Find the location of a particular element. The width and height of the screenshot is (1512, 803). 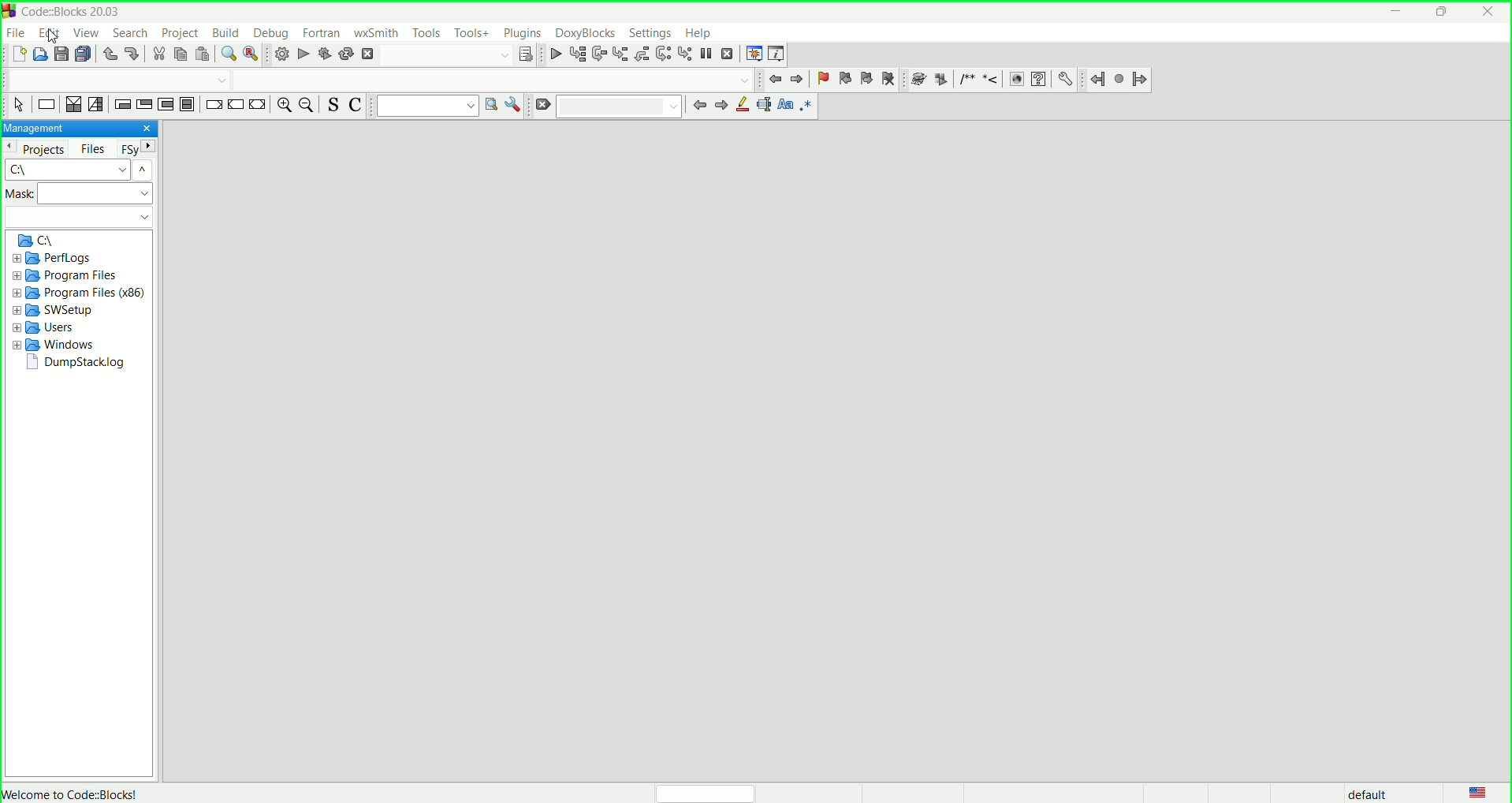

jump back is located at coordinates (772, 78).